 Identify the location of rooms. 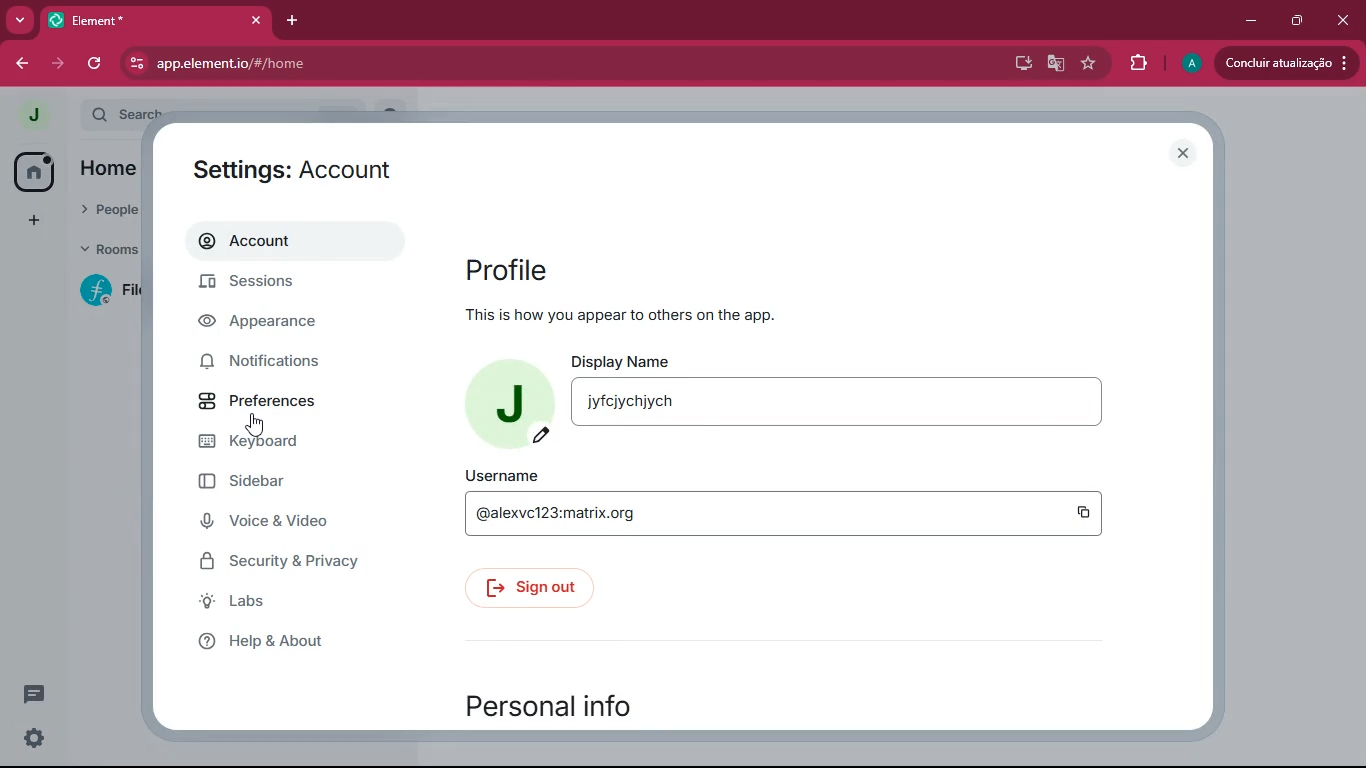
(107, 252).